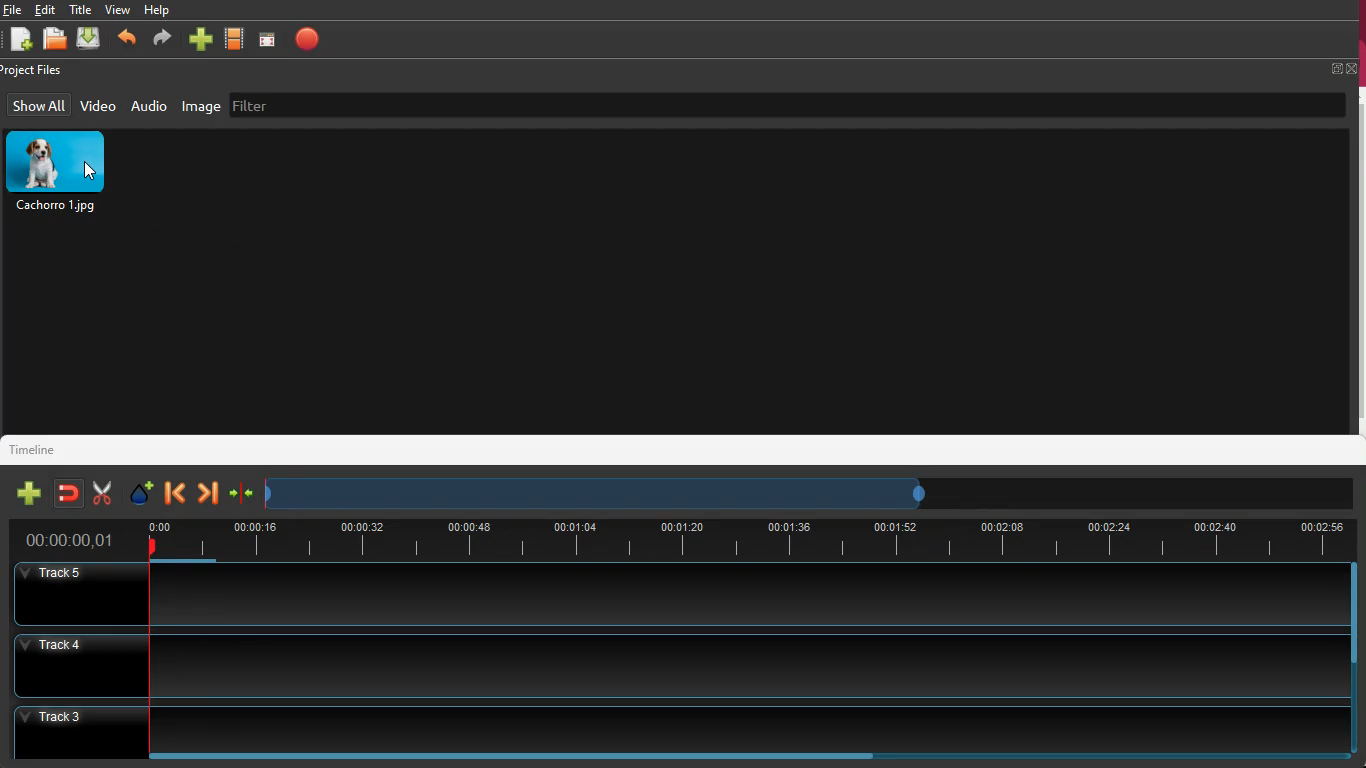  What do you see at coordinates (20, 41) in the screenshot?
I see `add` at bounding box center [20, 41].